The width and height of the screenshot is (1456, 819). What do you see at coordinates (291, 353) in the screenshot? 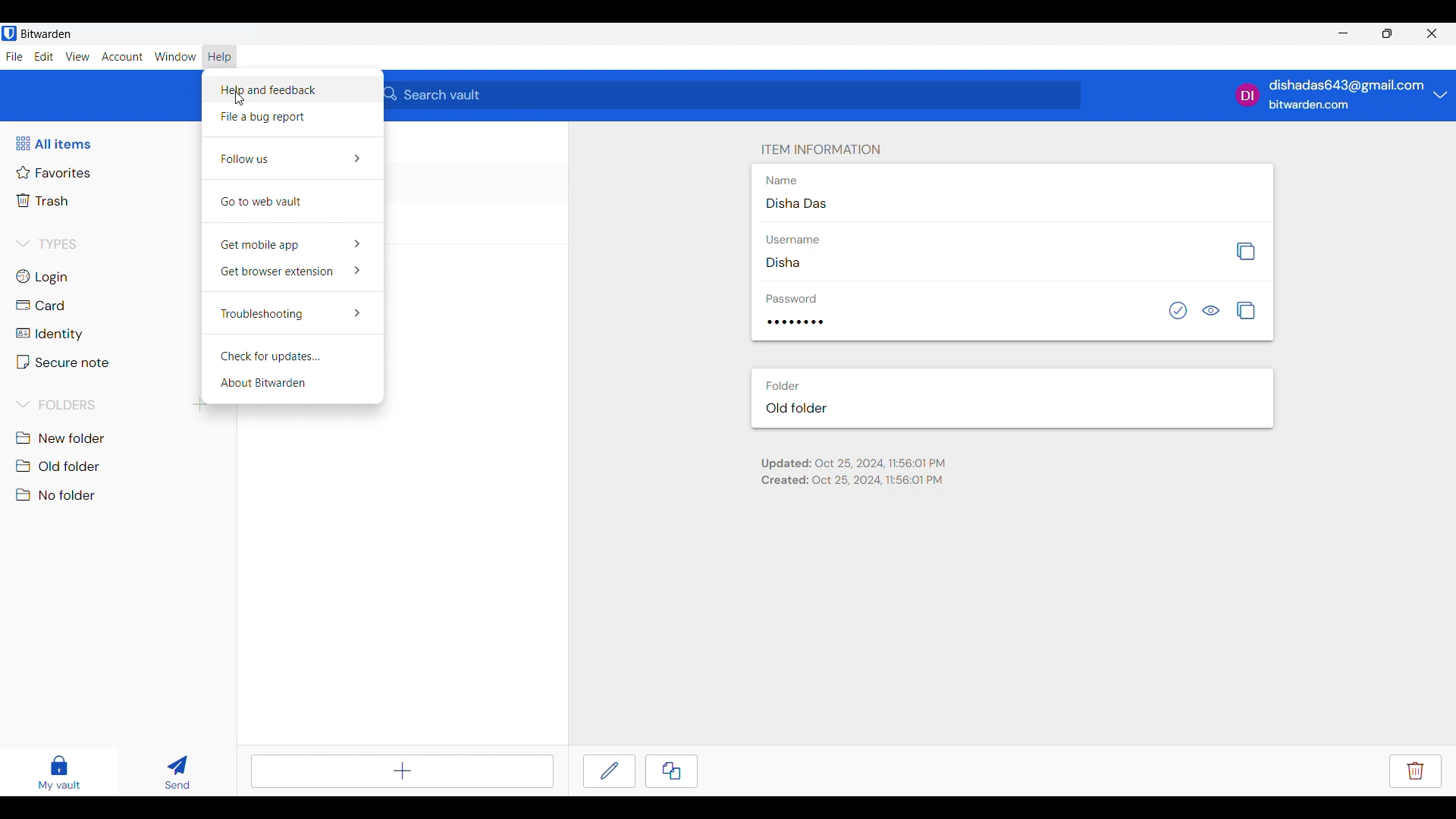
I see `Check for updates` at bounding box center [291, 353].